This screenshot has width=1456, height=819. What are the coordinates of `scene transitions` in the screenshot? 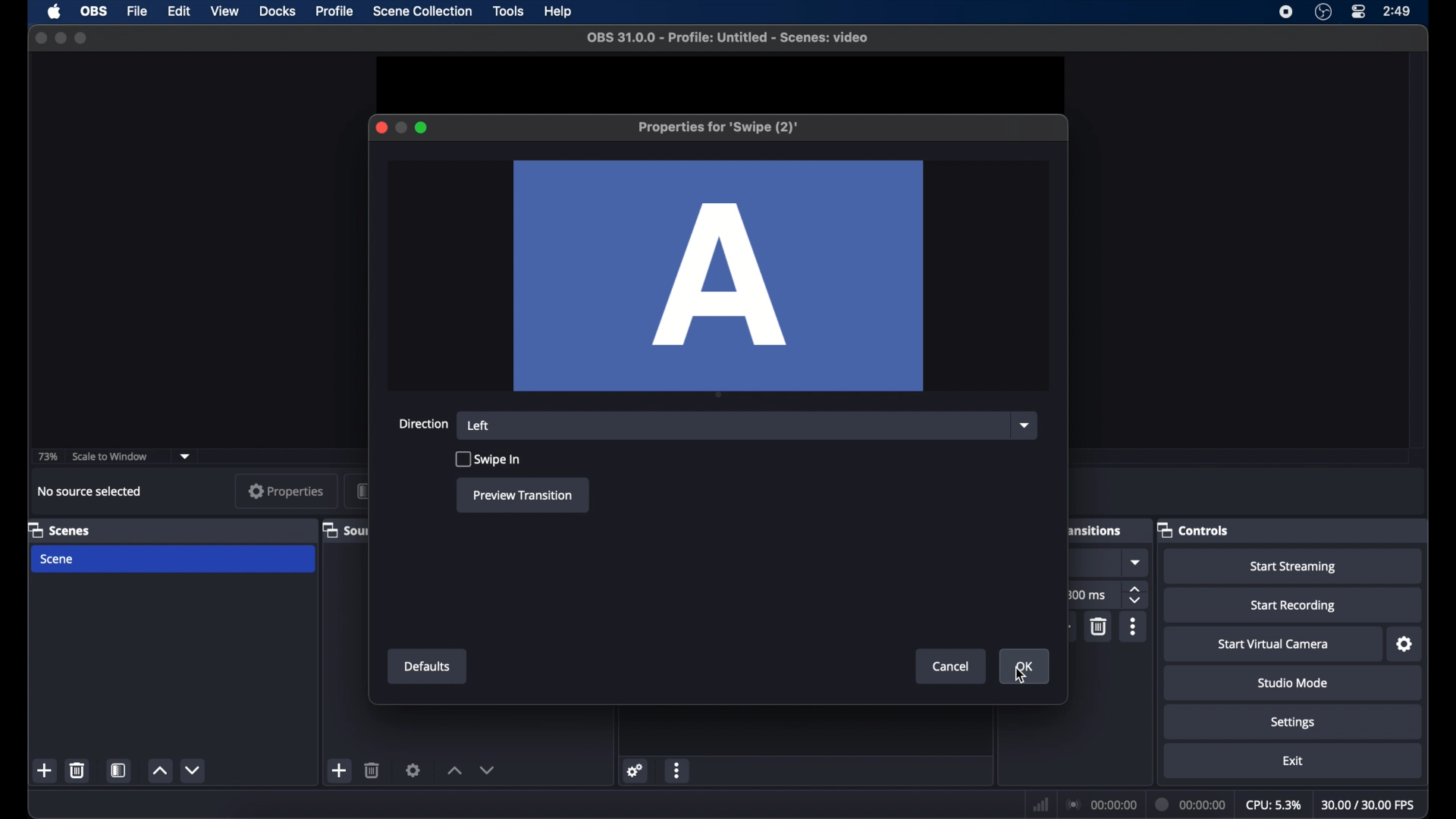 It's located at (1096, 529).